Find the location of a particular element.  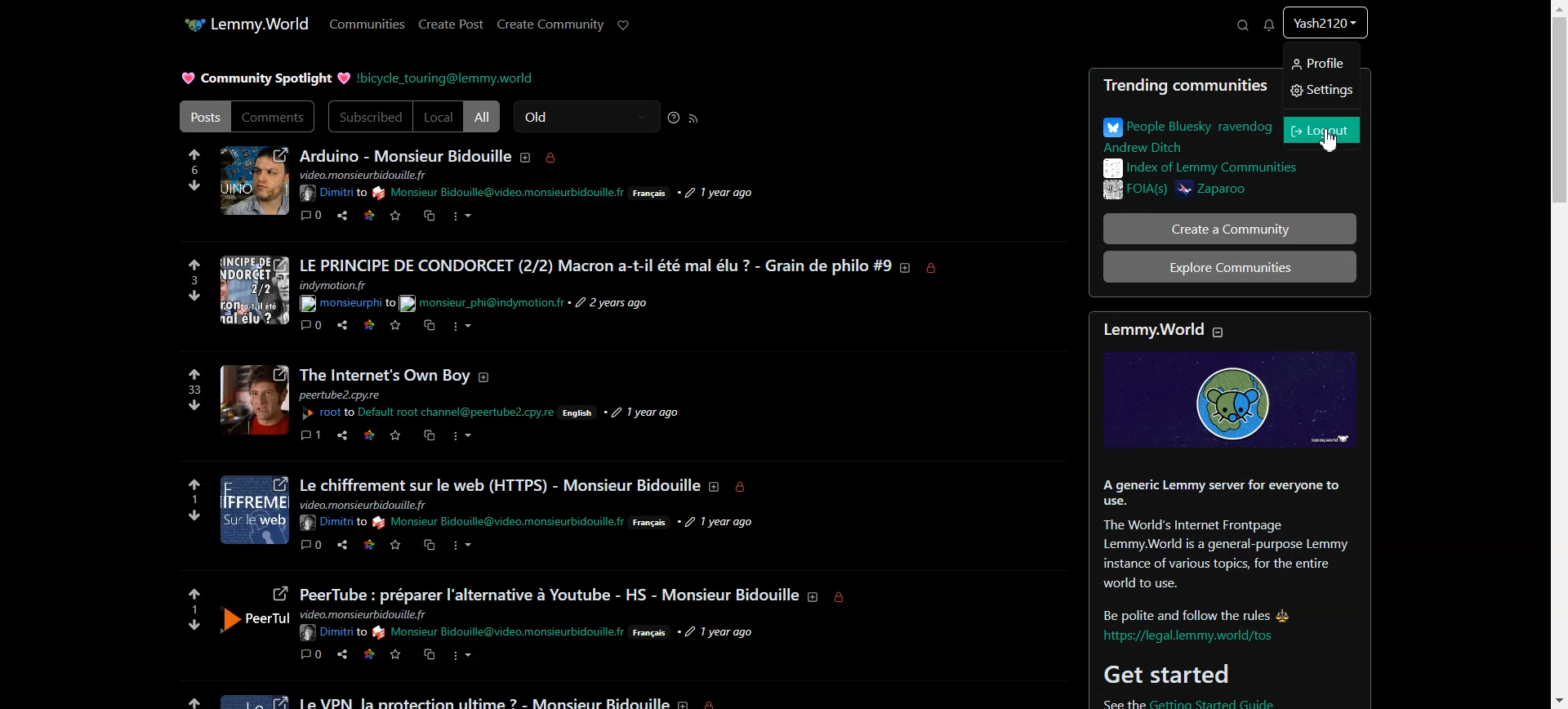

Downvote is located at coordinates (195, 185).